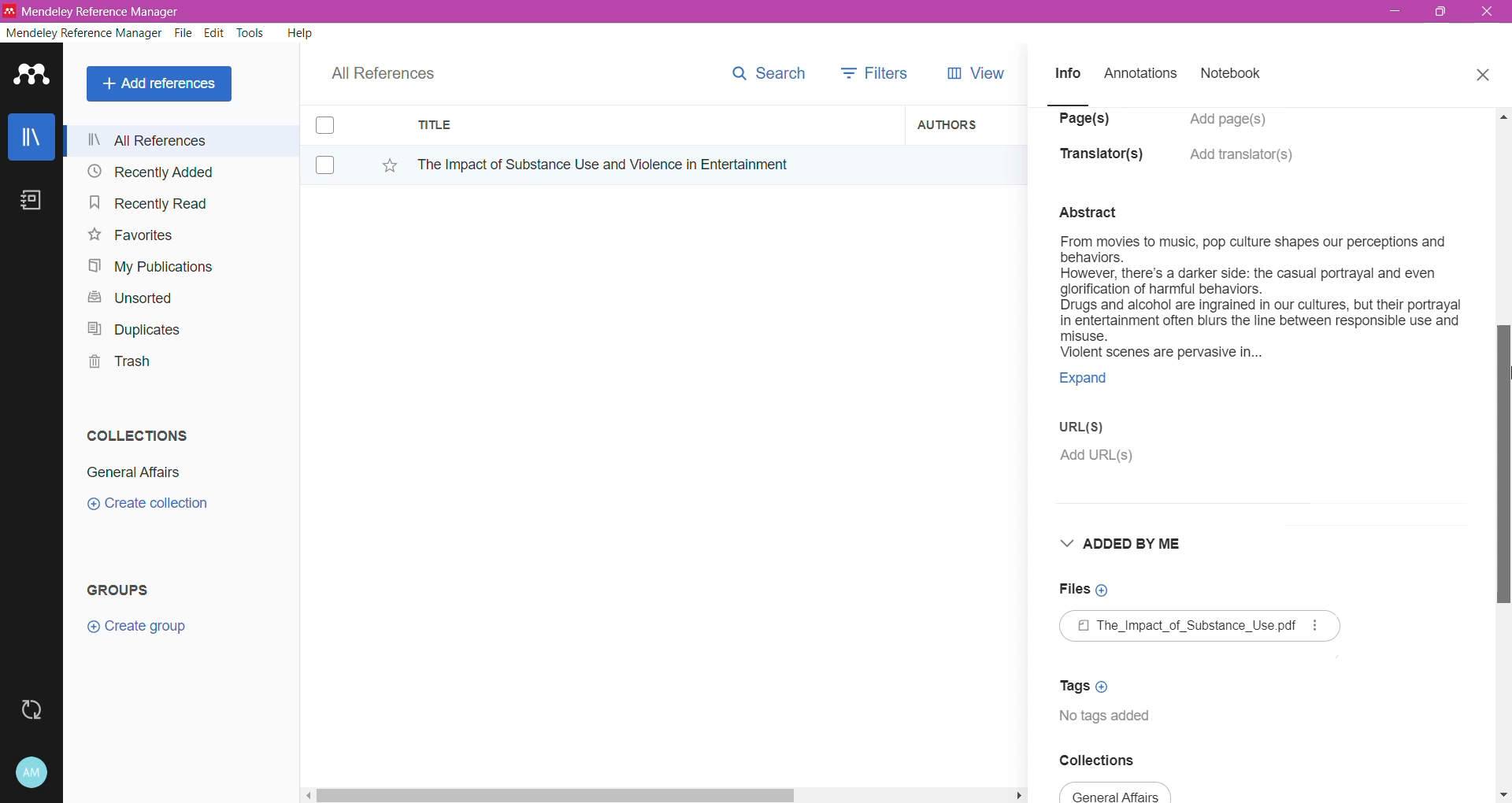 Image resolution: width=1512 pixels, height=803 pixels. What do you see at coordinates (1482, 72) in the screenshot?
I see `Close` at bounding box center [1482, 72].